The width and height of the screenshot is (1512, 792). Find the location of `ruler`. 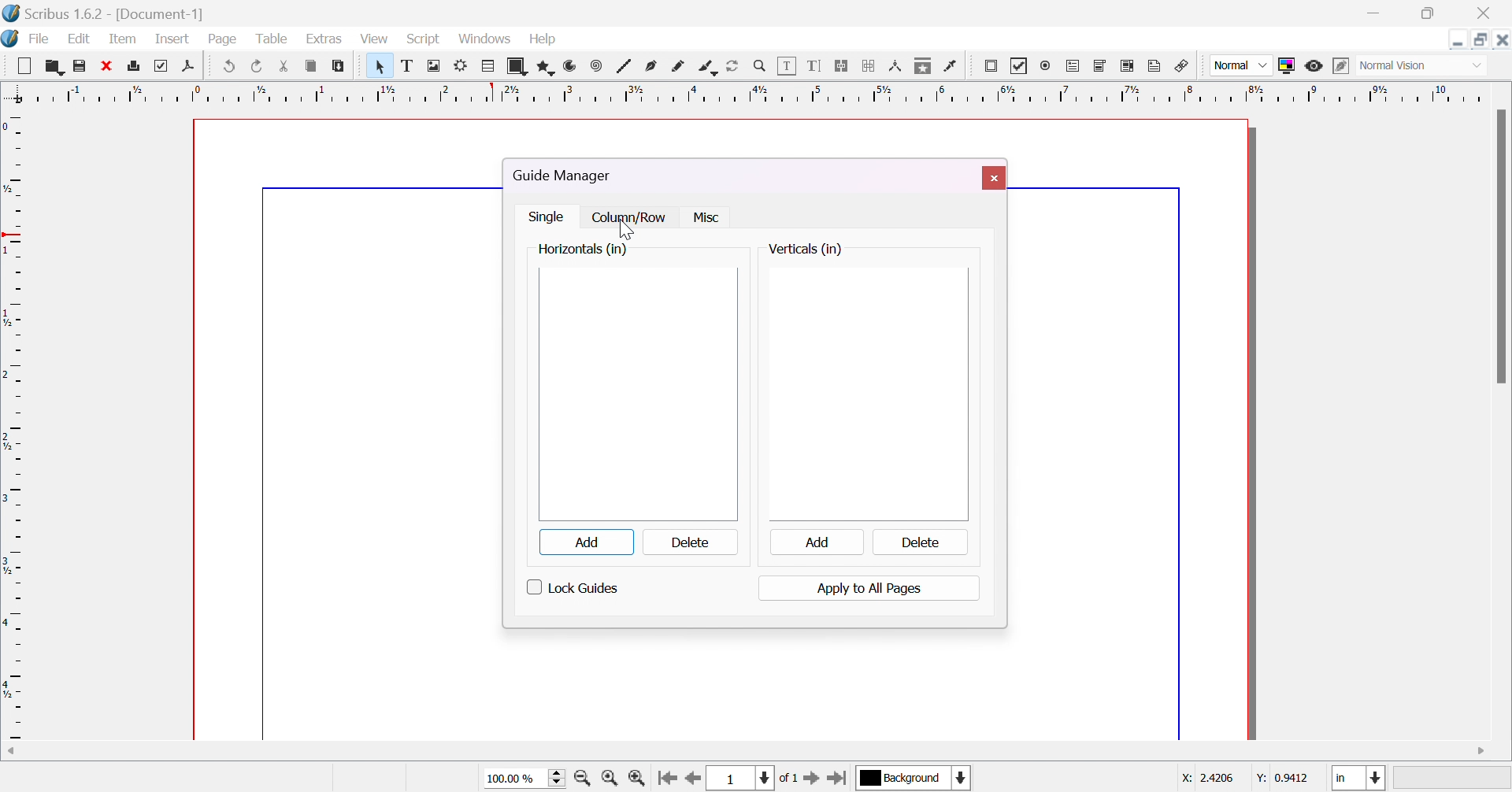

ruler is located at coordinates (754, 92).